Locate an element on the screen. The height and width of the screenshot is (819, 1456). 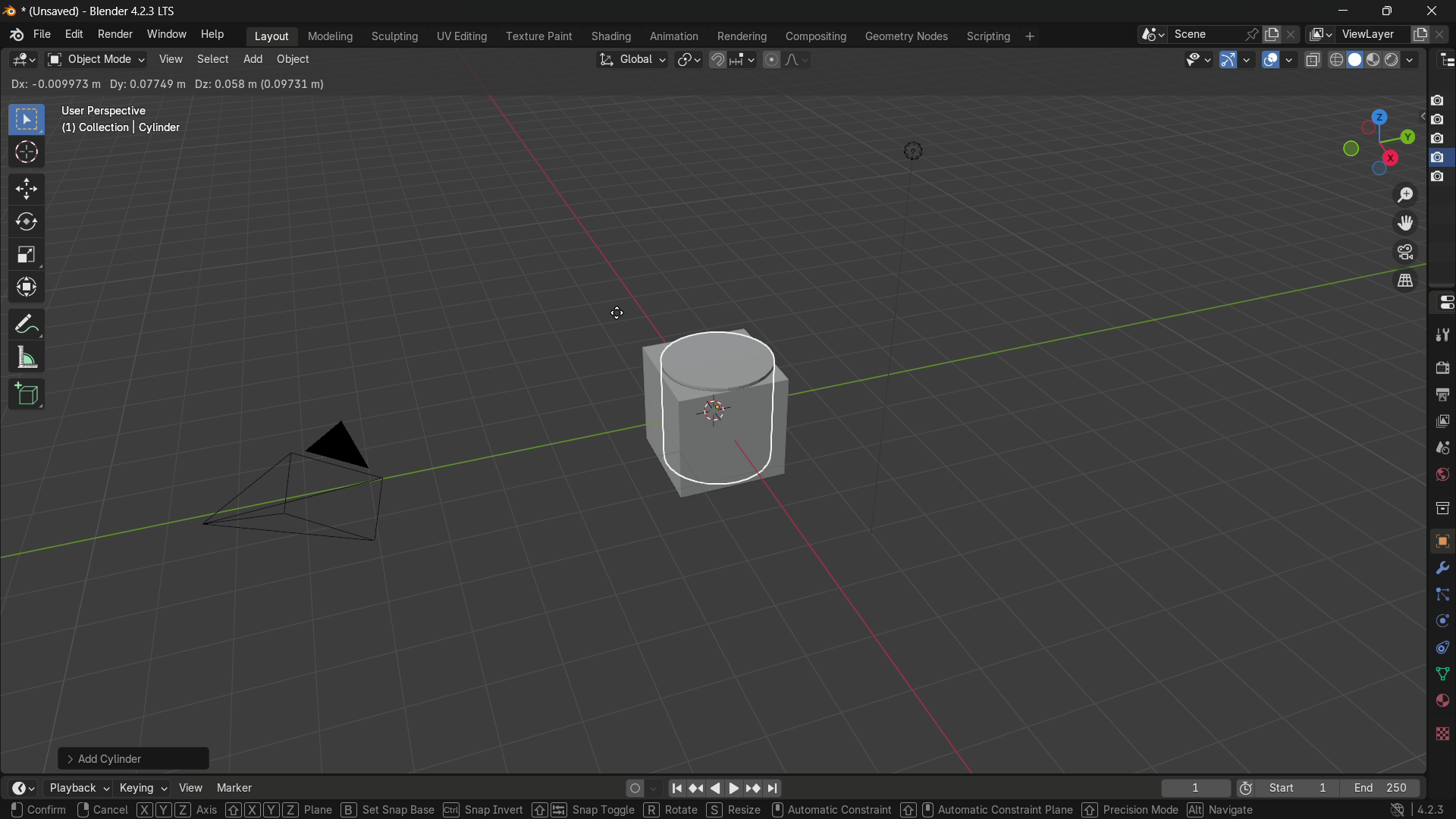
browse scenes is located at coordinates (1151, 35).